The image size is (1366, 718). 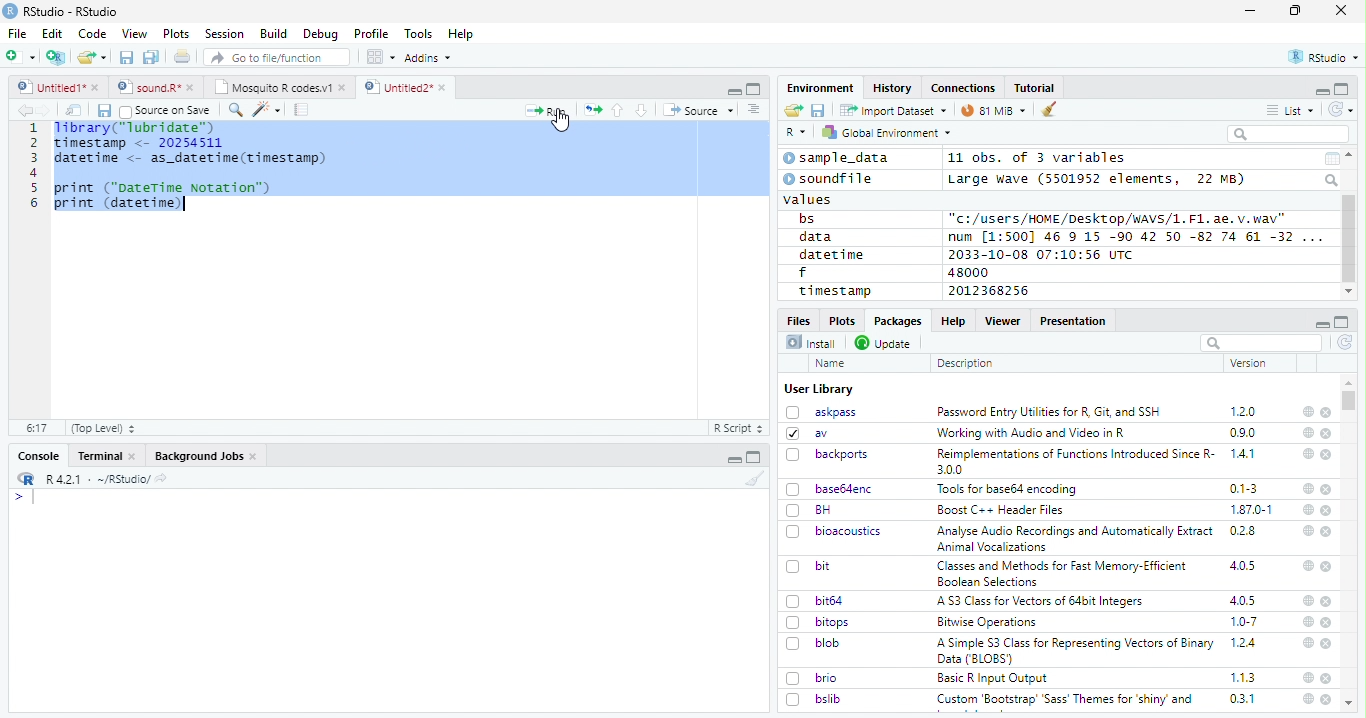 I want to click on Numbering line, so click(x=32, y=167).